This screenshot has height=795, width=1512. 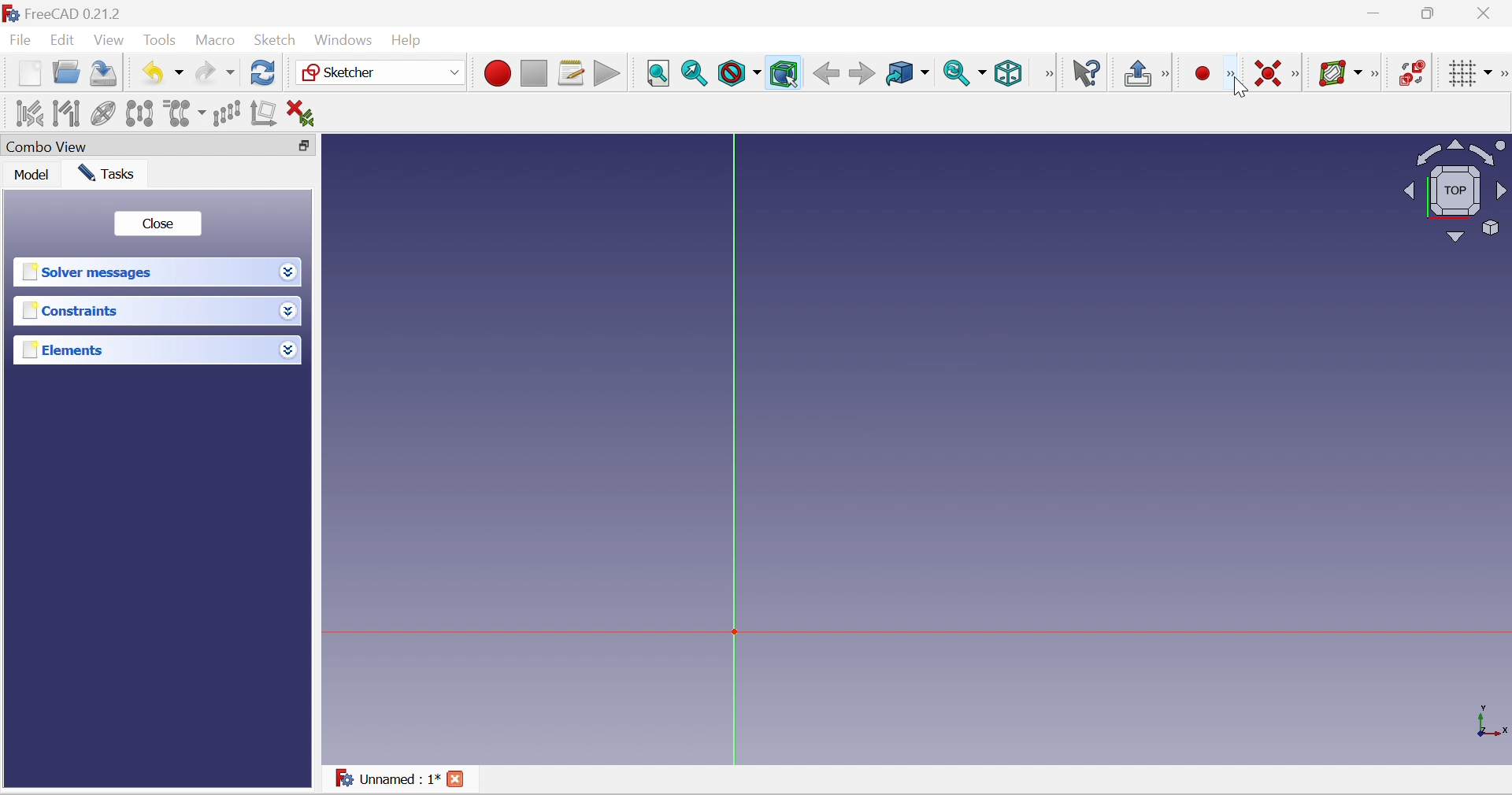 What do you see at coordinates (1470, 73) in the screenshot?
I see `Toggle grid` at bounding box center [1470, 73].